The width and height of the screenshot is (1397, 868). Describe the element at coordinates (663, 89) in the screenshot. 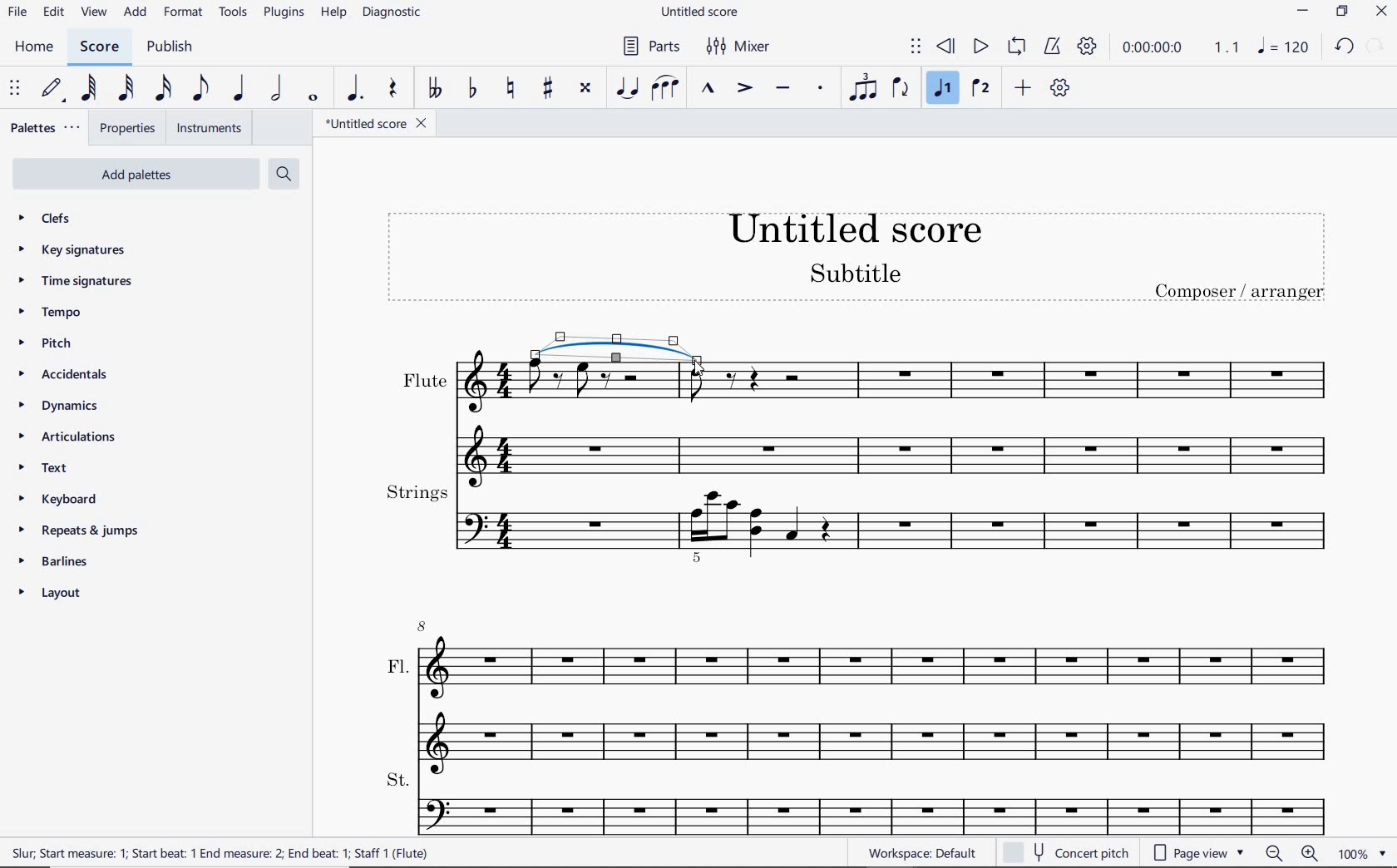

I see `SLUR` at that location.